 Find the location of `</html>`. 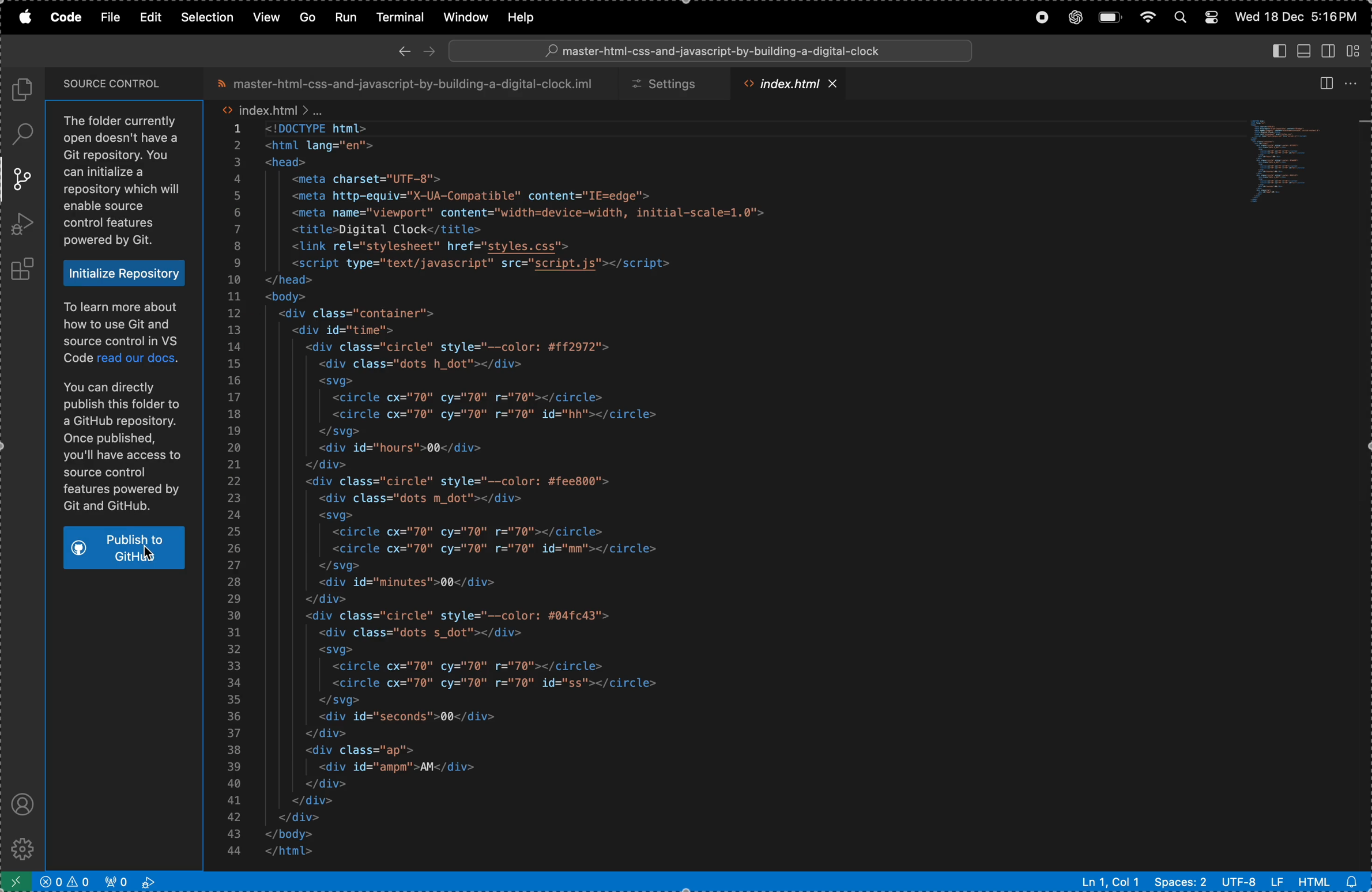

</html> is located at coordinates (307, 852).